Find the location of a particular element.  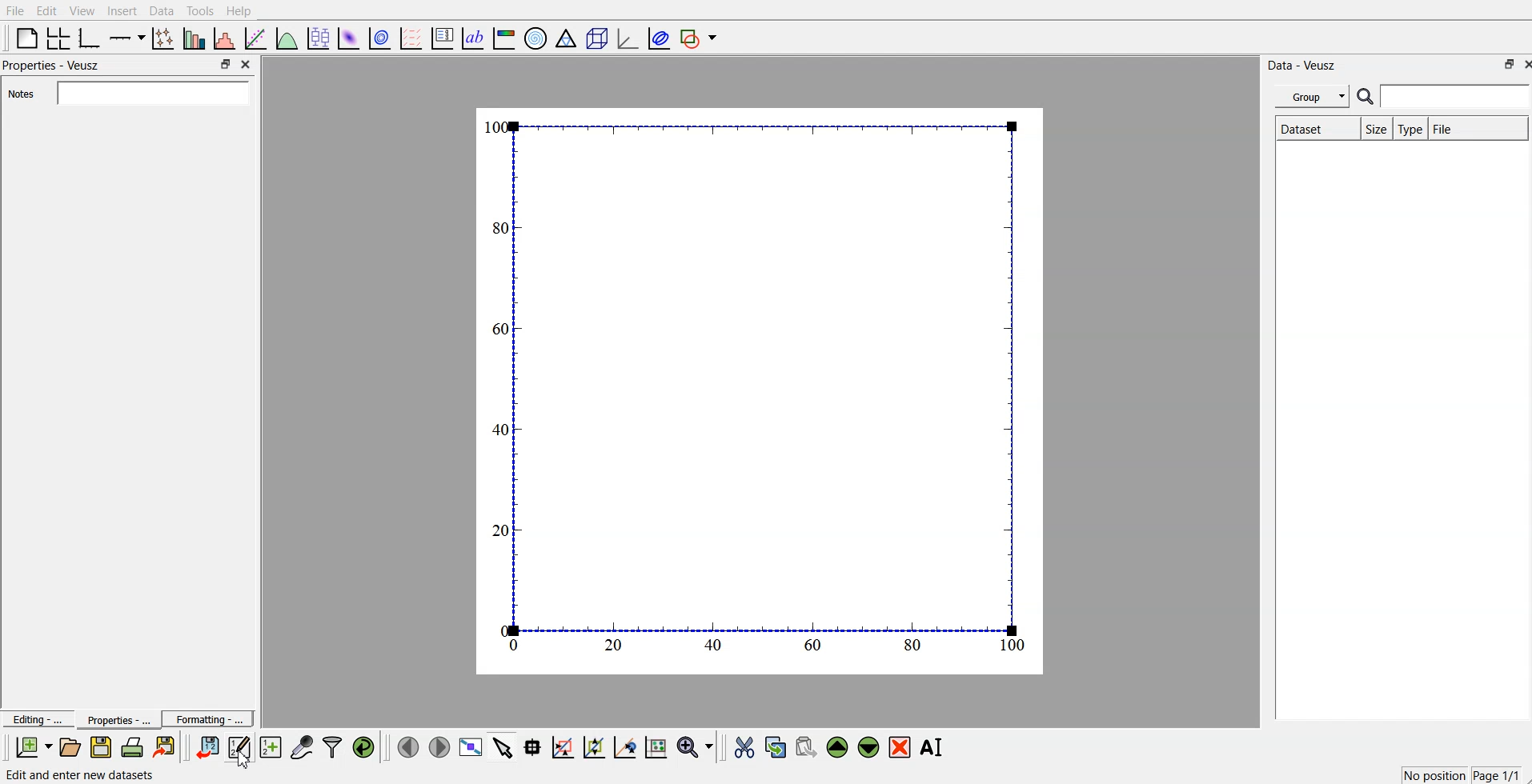

plot covariance ellipses is located at coordinates (656, 37).